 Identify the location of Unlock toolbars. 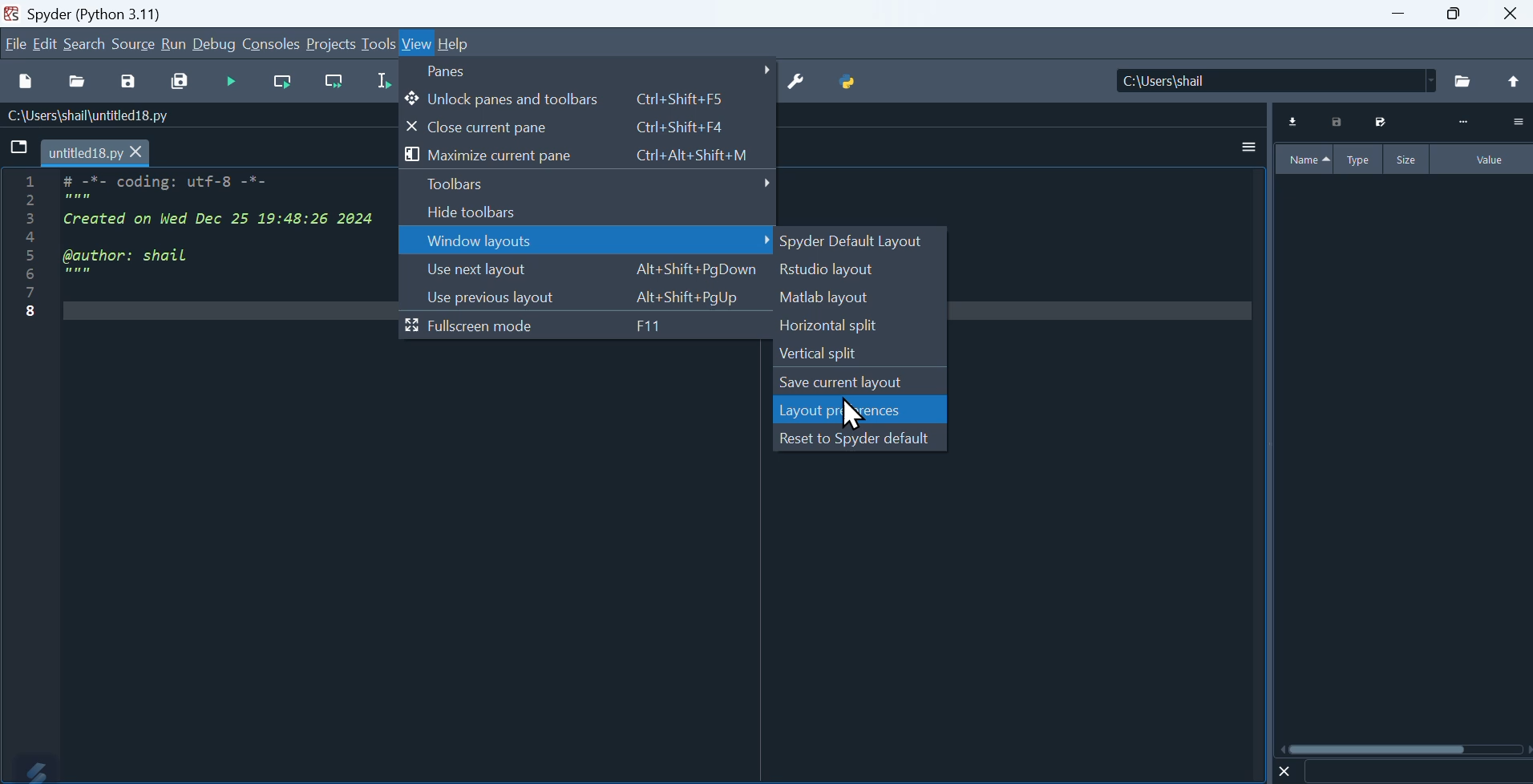
(590, 99).